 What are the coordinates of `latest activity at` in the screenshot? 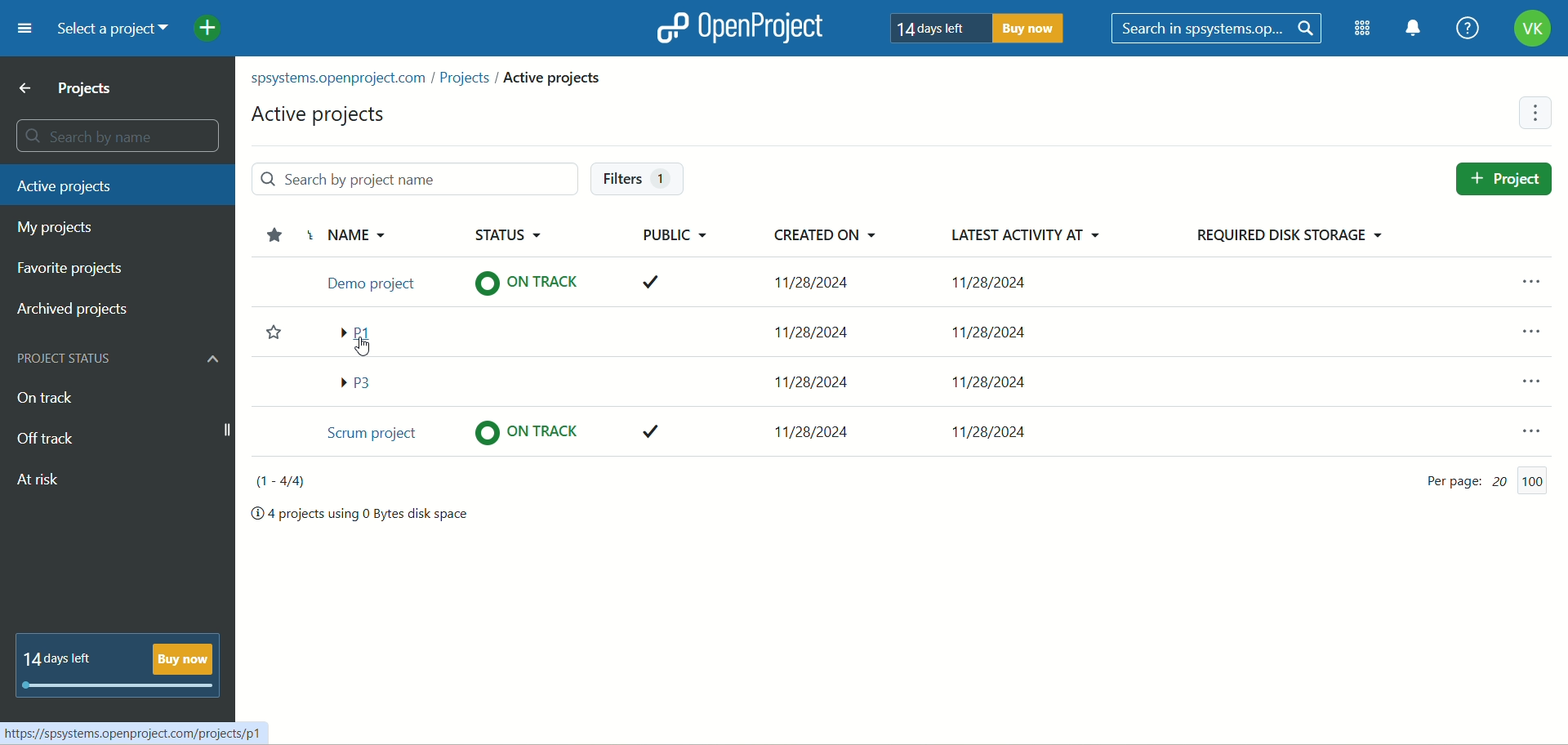 It's located at (1022, 239).